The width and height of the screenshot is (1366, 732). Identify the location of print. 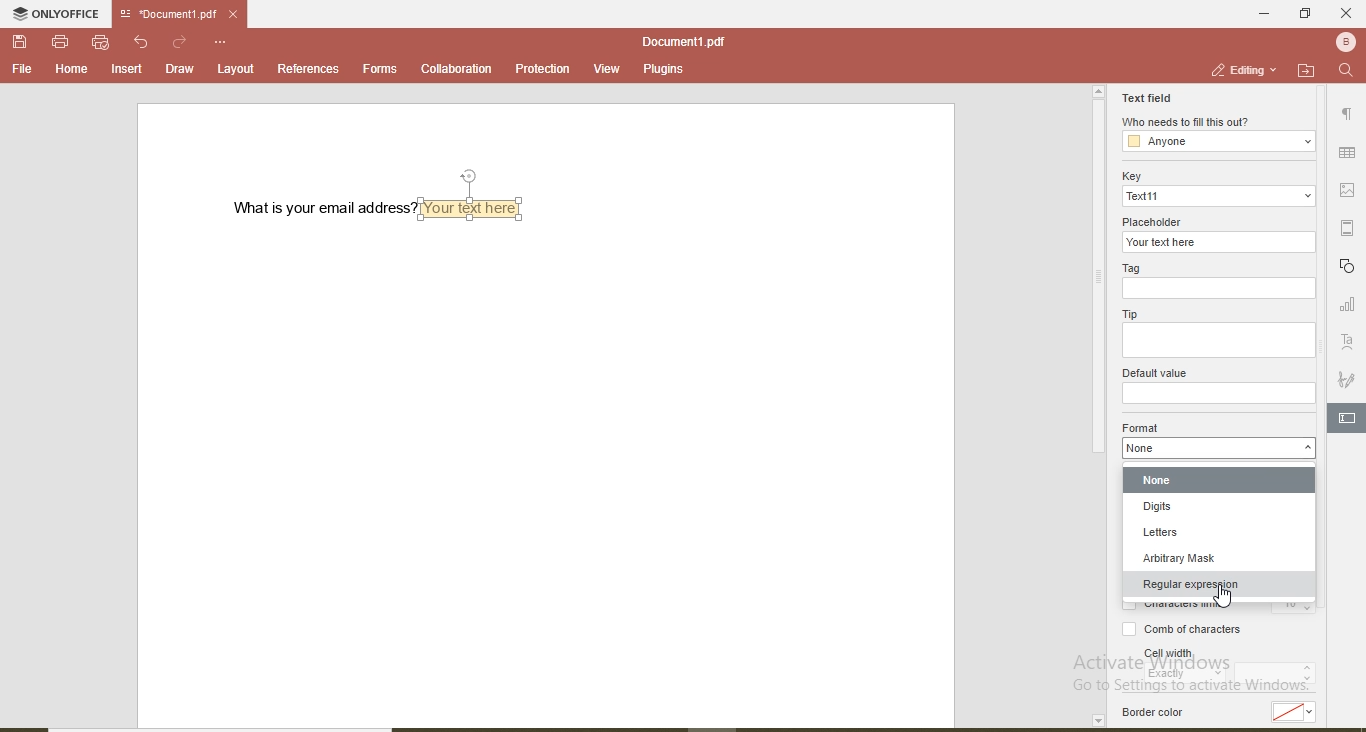
(60, 40).